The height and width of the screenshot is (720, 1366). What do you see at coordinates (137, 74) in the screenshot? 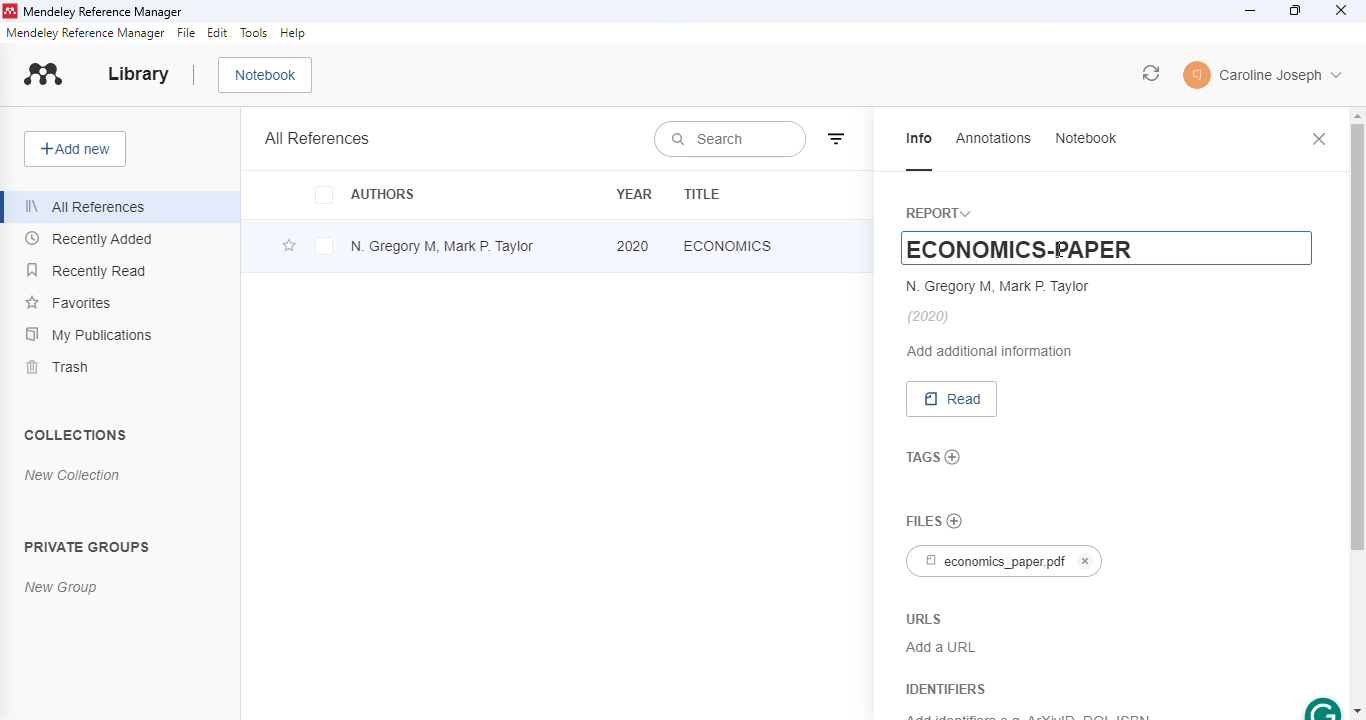
I see `library` at bounding box center [137, 74].